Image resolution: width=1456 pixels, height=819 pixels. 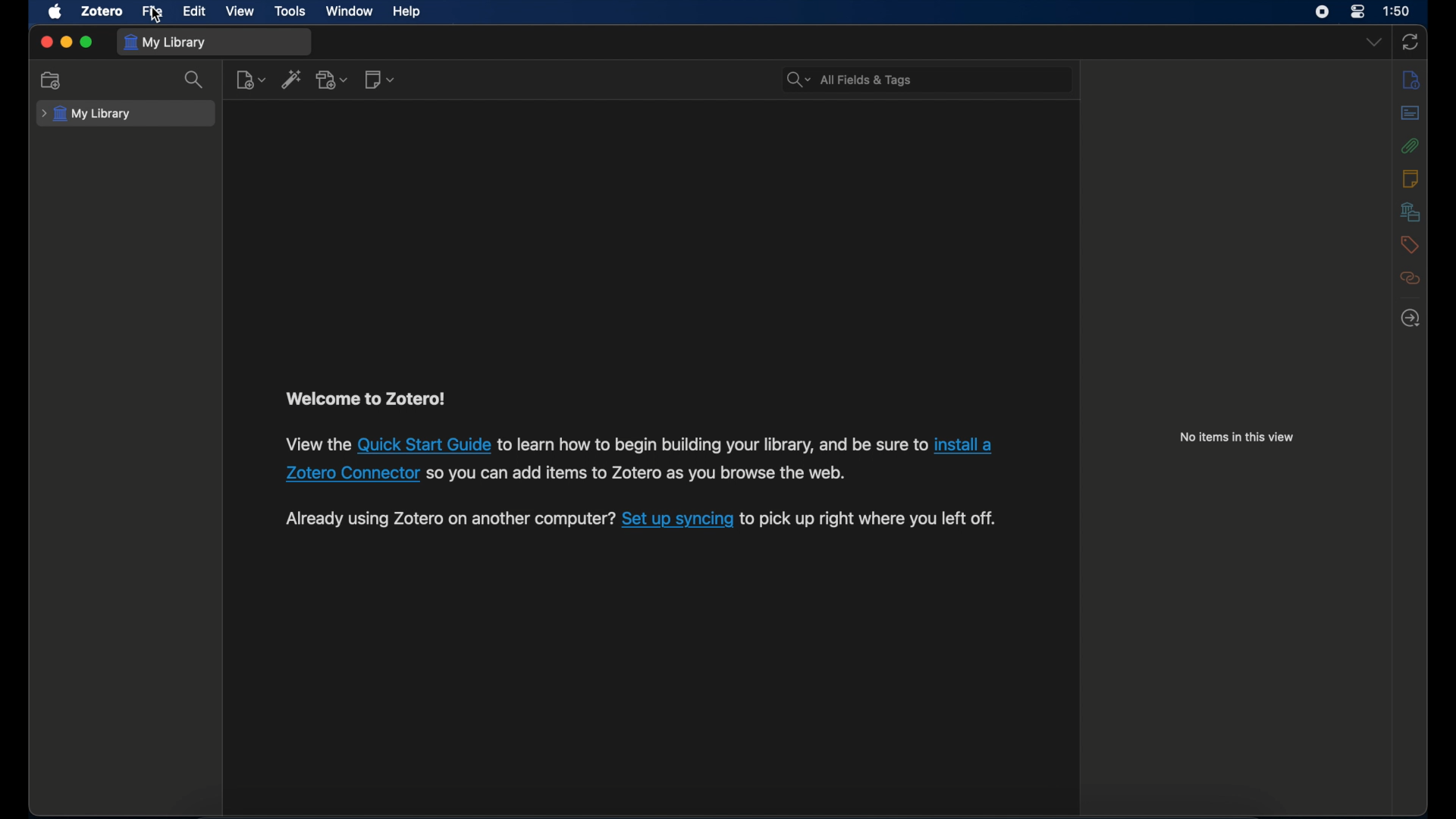 I want to click on cursor, so click(x=161, y=19).